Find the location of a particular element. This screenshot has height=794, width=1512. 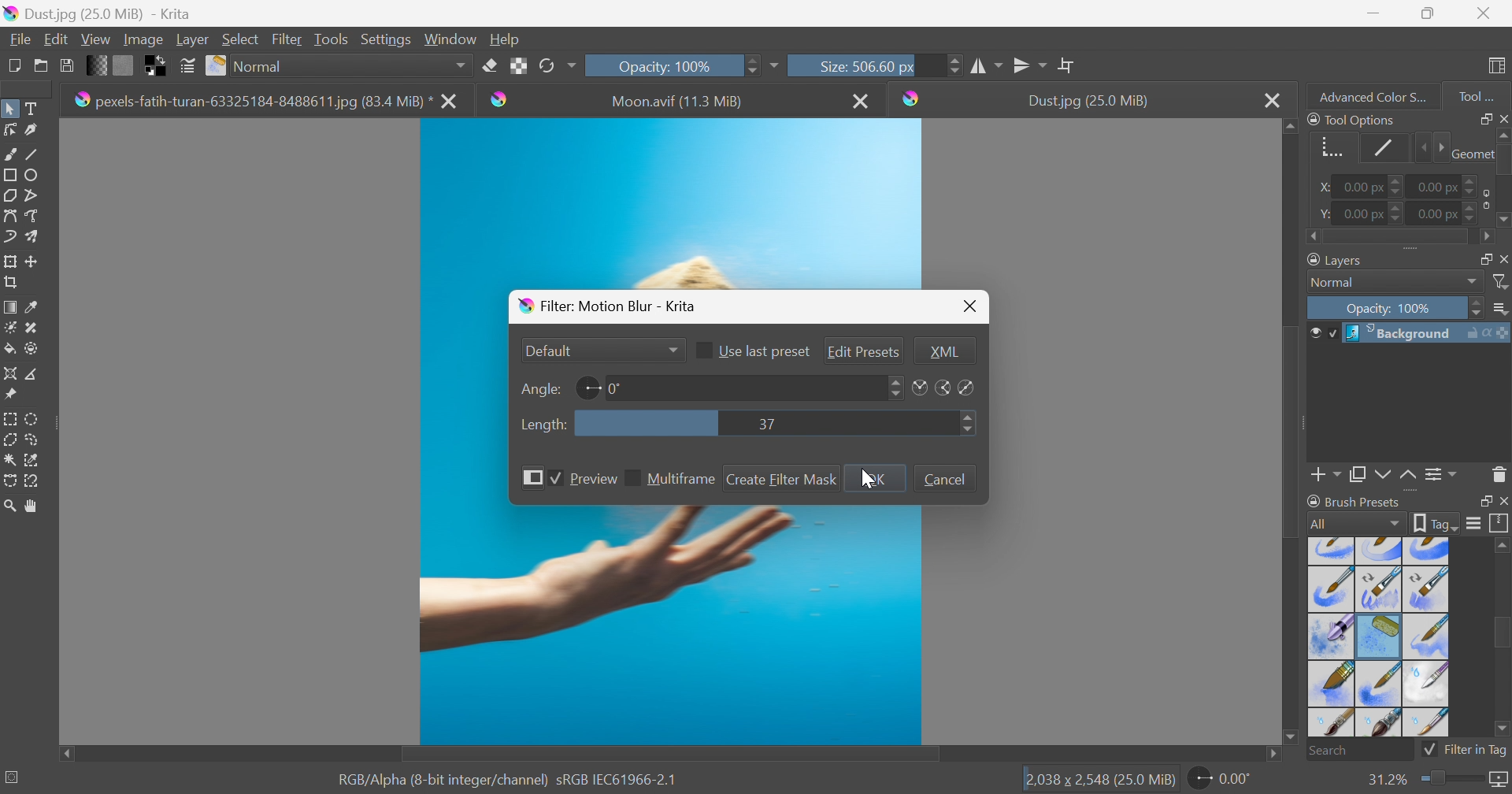

Slider is located at coordinates (1430, 148).